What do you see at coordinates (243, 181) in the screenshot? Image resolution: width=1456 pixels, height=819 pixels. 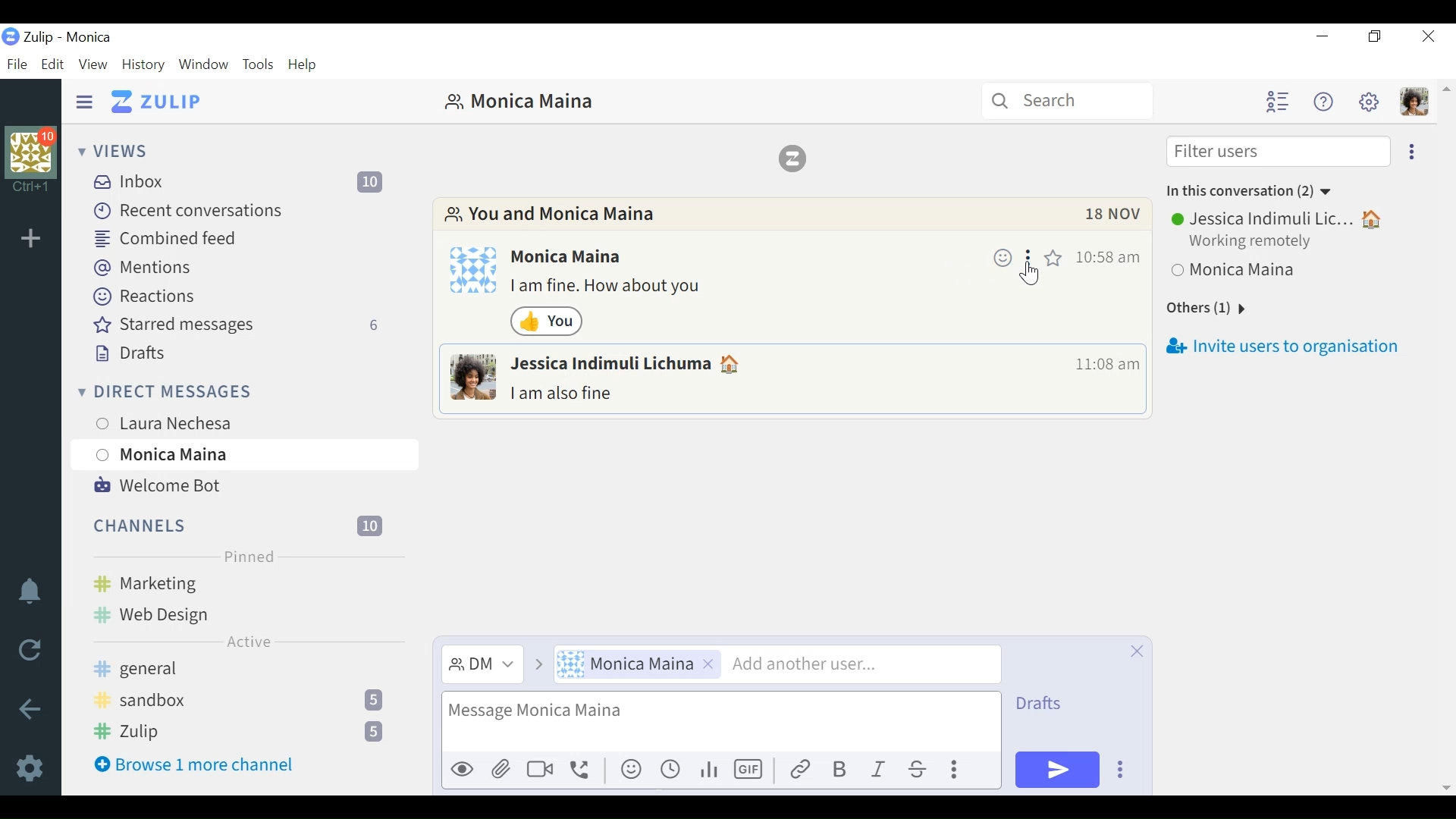 I see `Inbox` at bounding box center [243, 181].